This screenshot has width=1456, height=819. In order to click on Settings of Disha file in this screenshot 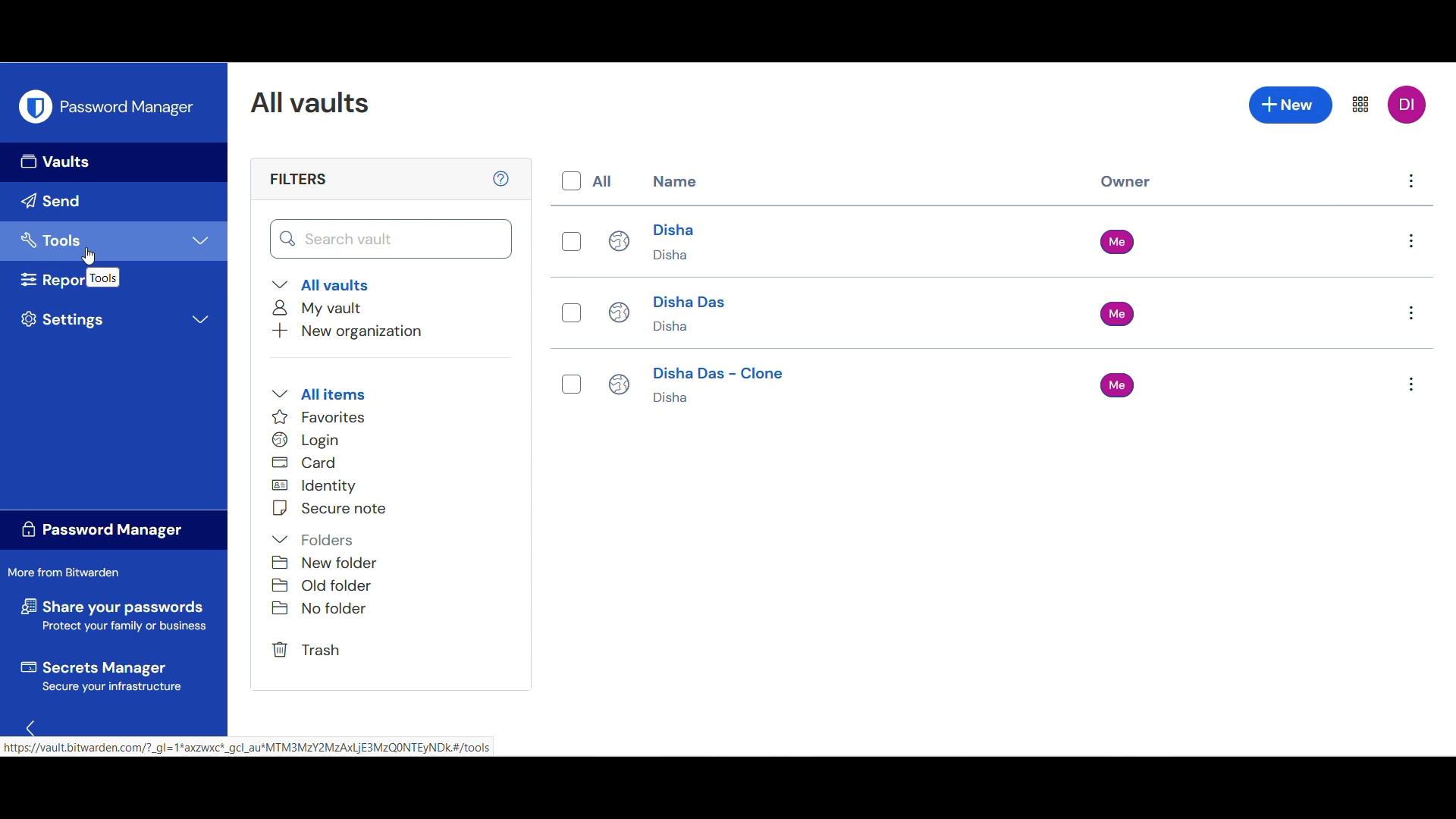, I will do `click(1411, 241)`.